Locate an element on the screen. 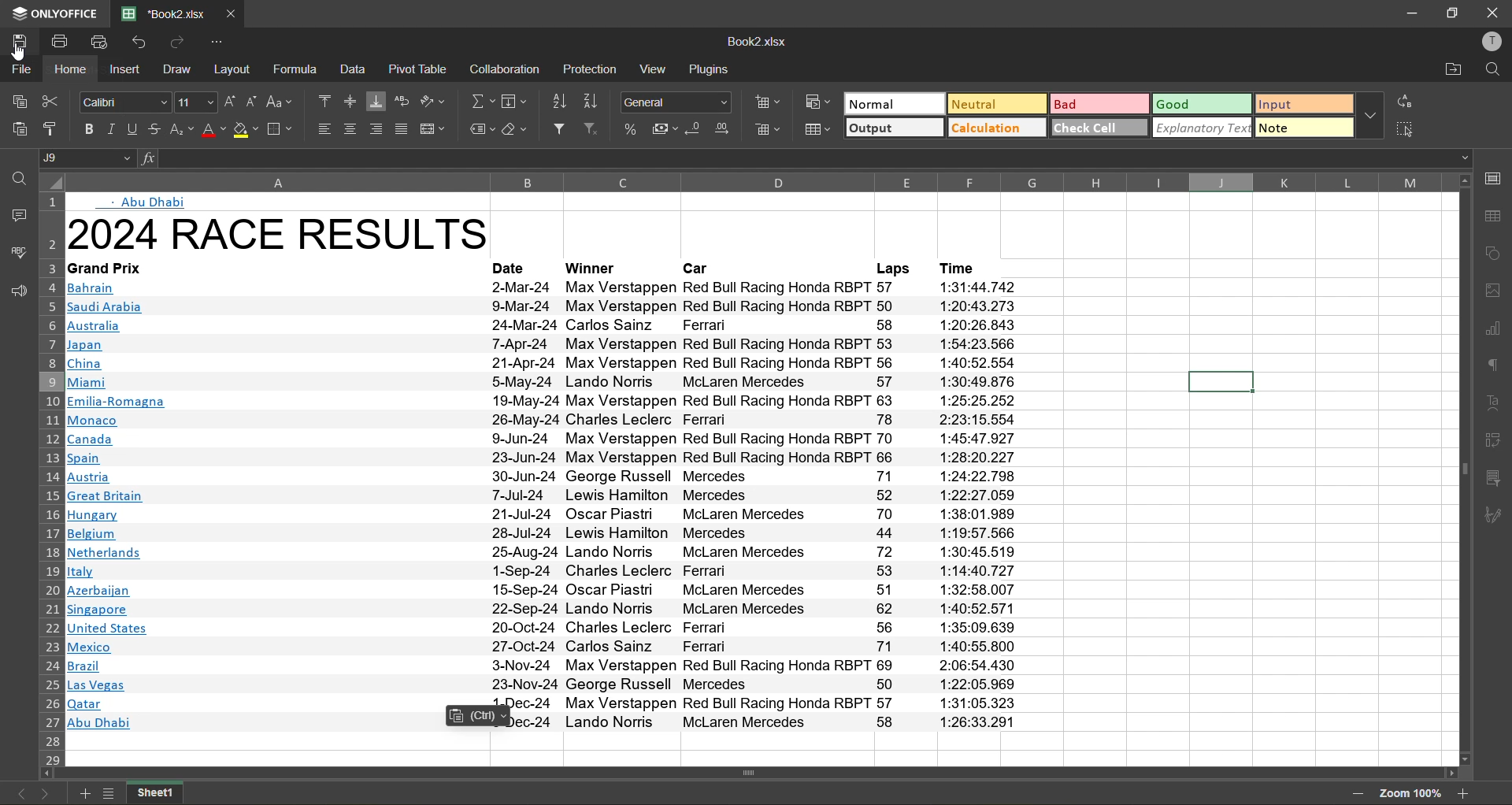 The height and width of the screenshot is (805, 1512). clear is located at coordinates (517, 128).